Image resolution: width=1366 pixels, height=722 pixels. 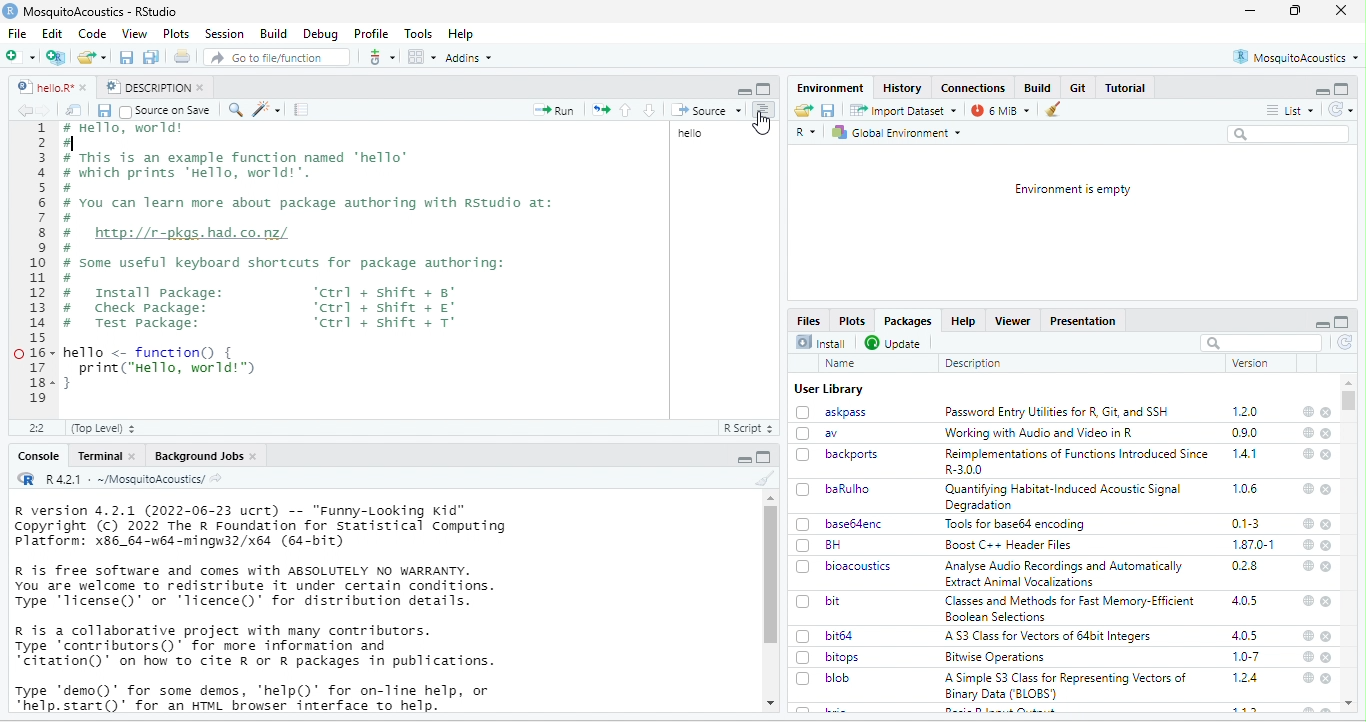 What do you see at coordinates (1246, 454) in the screenshot?
I see `1.4.1` at bounding box center [1246, 454].